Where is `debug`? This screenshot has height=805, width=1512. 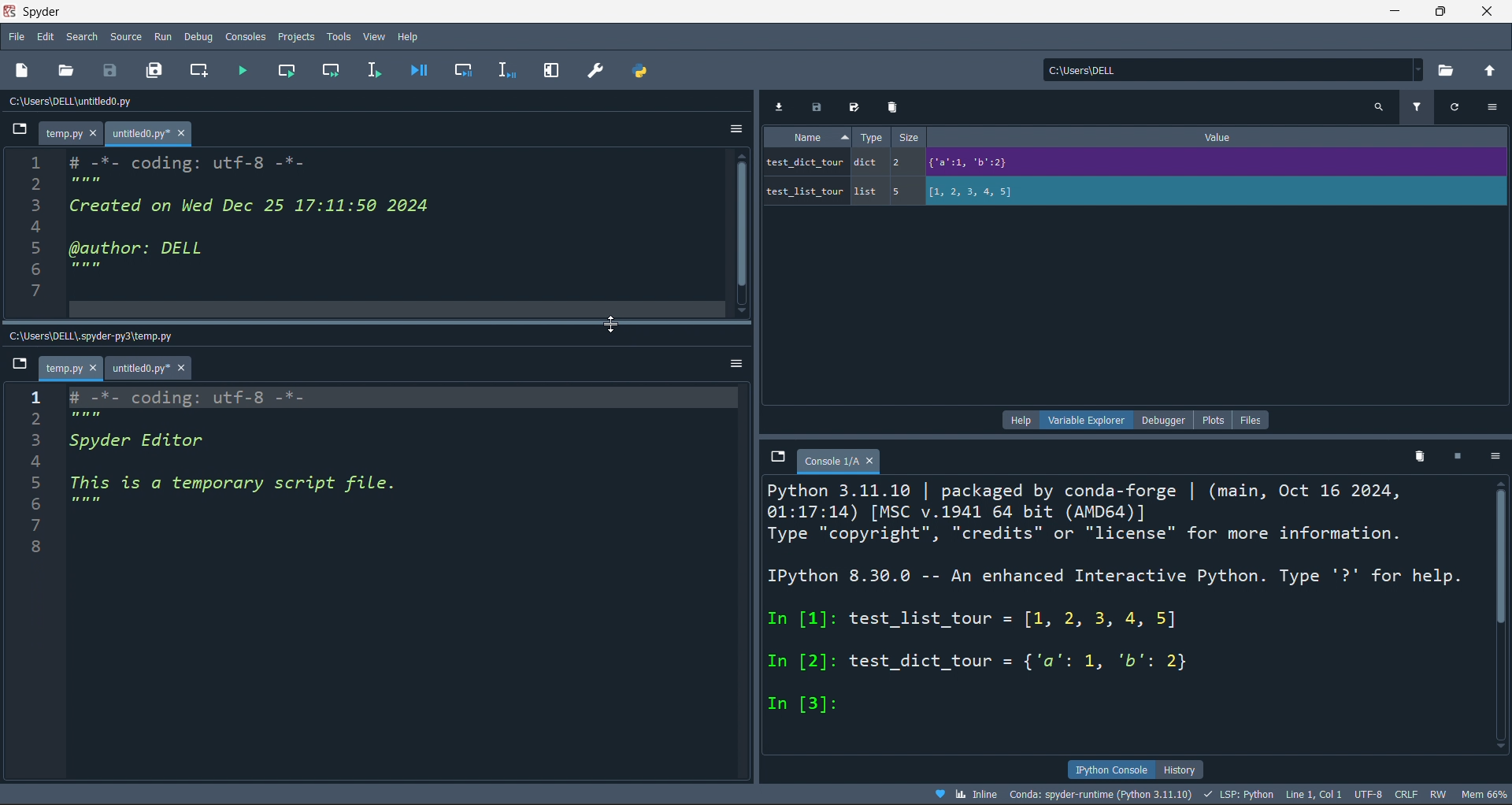
debug is located at coordinates (202, 36).